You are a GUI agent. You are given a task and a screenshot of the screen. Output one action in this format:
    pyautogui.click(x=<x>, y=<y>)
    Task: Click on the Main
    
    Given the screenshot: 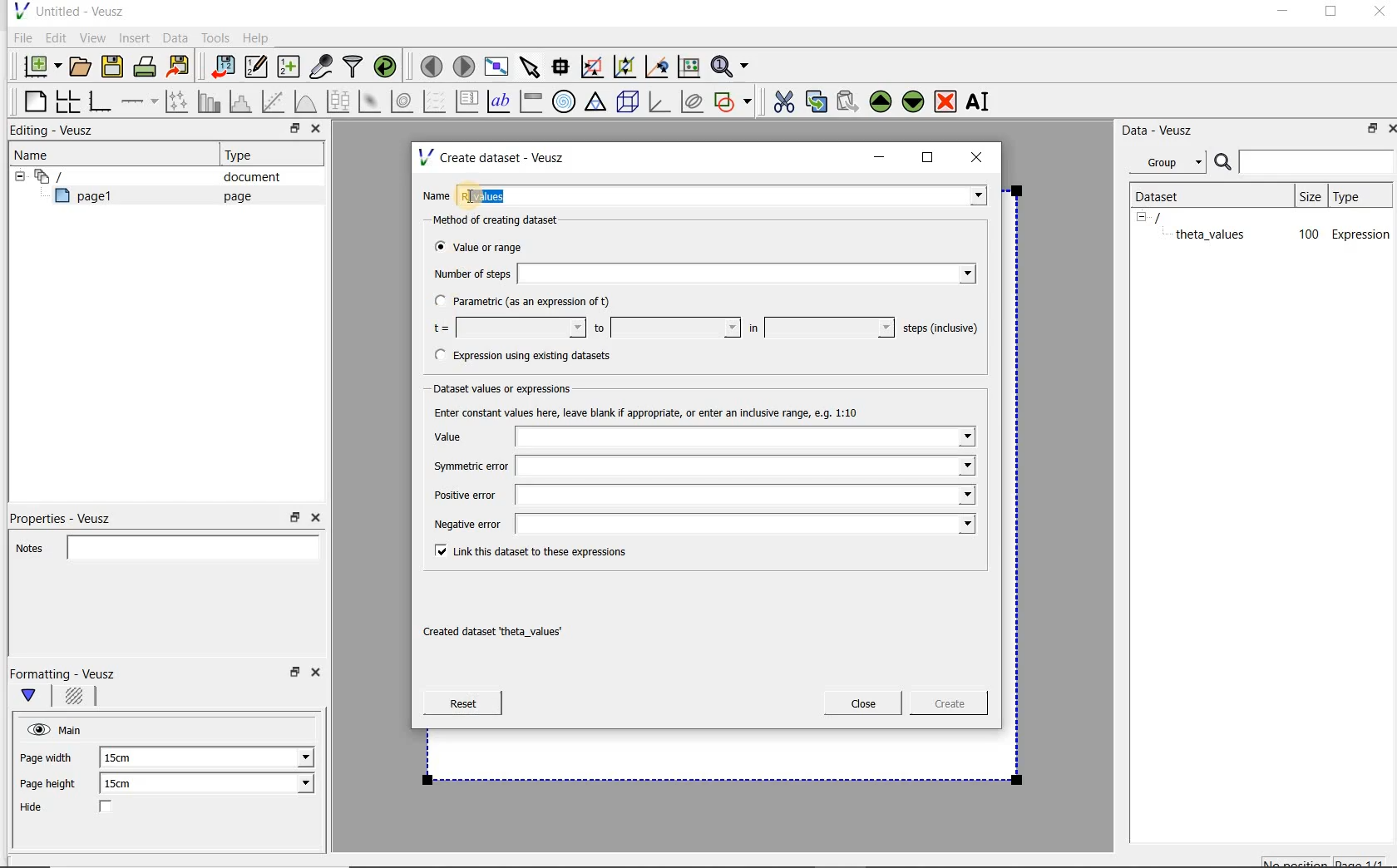 What is the action you would take?
    pyautogui.click(x=73, y=728)
    